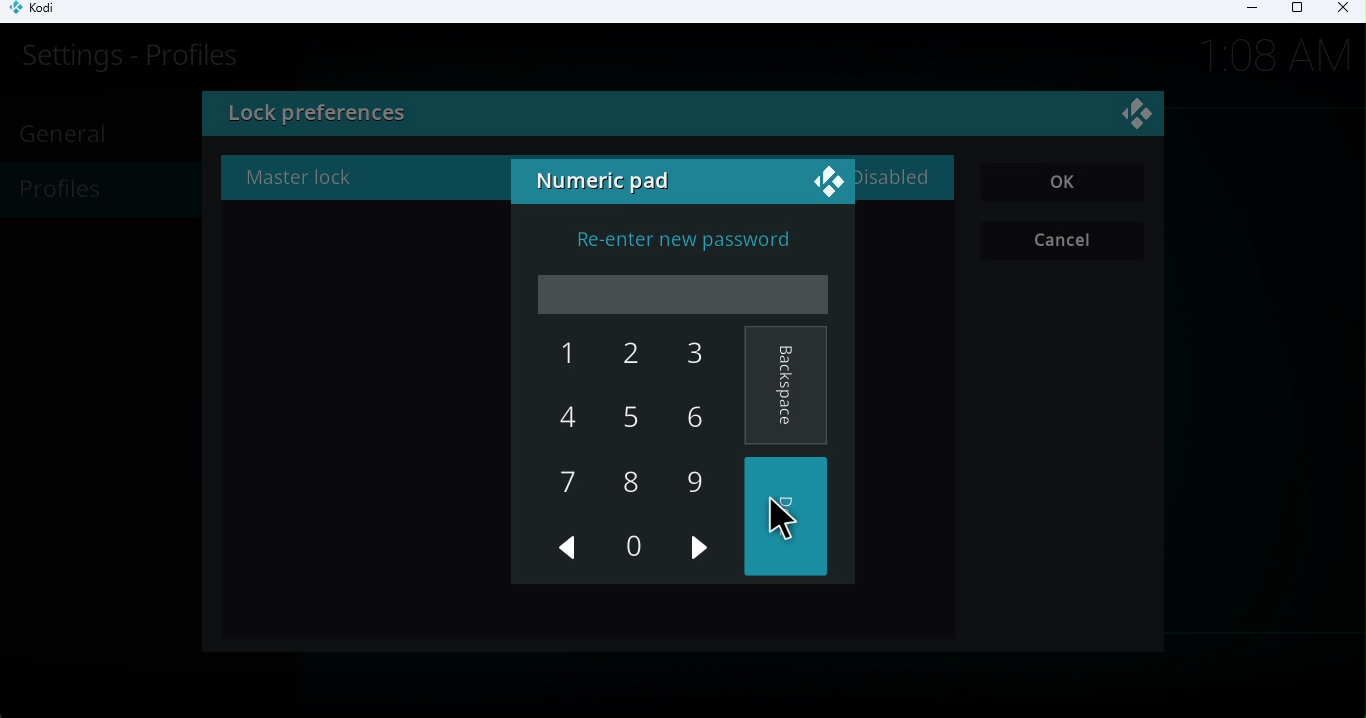 The height and width of the screenshot is (718, 1366). Describe the element at coordinates (762, 511) in the screenshot. I see `cursor` at that location.